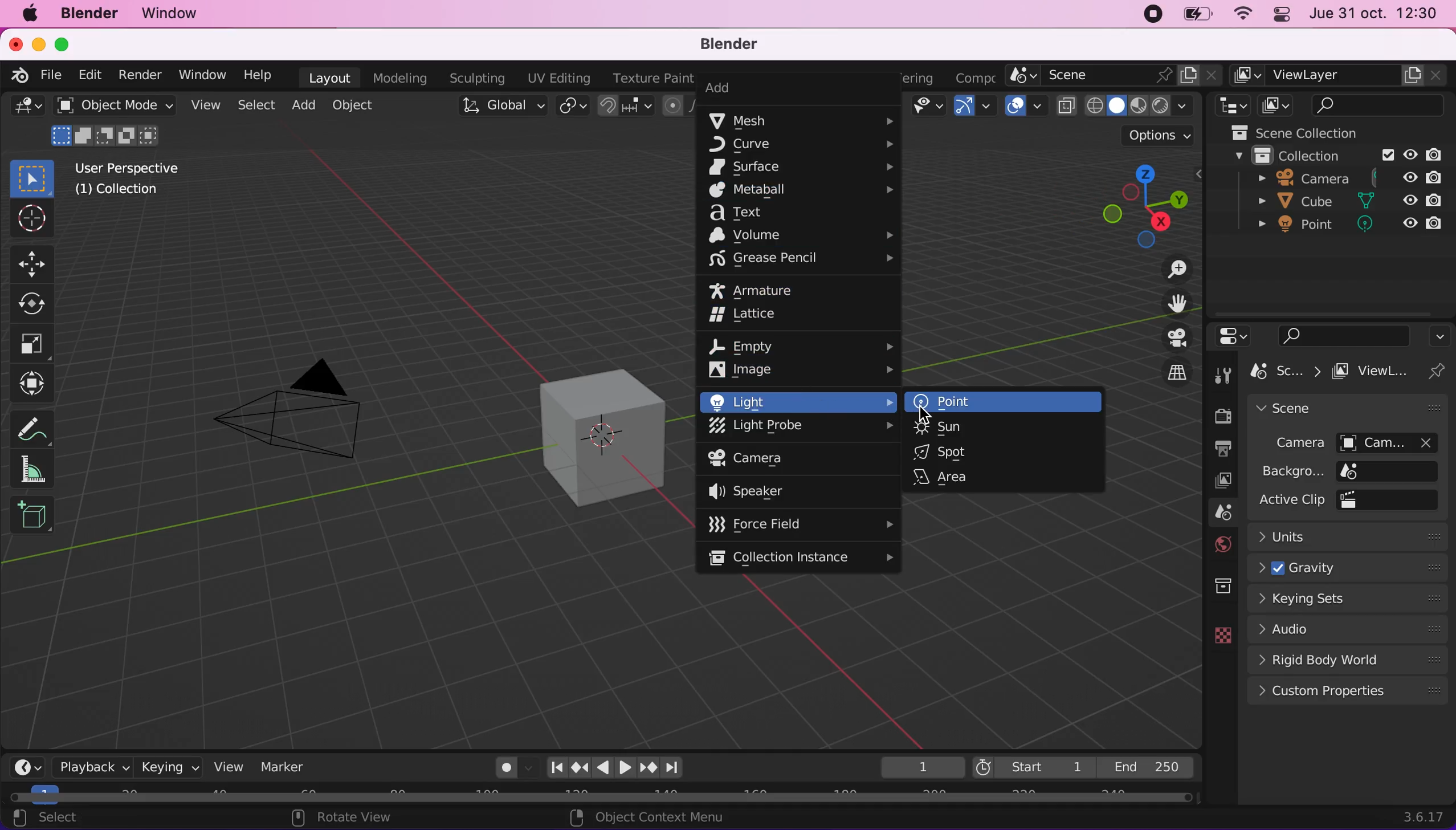 The image size is (1456, 830). I want to click on empty, so click(804, 345).